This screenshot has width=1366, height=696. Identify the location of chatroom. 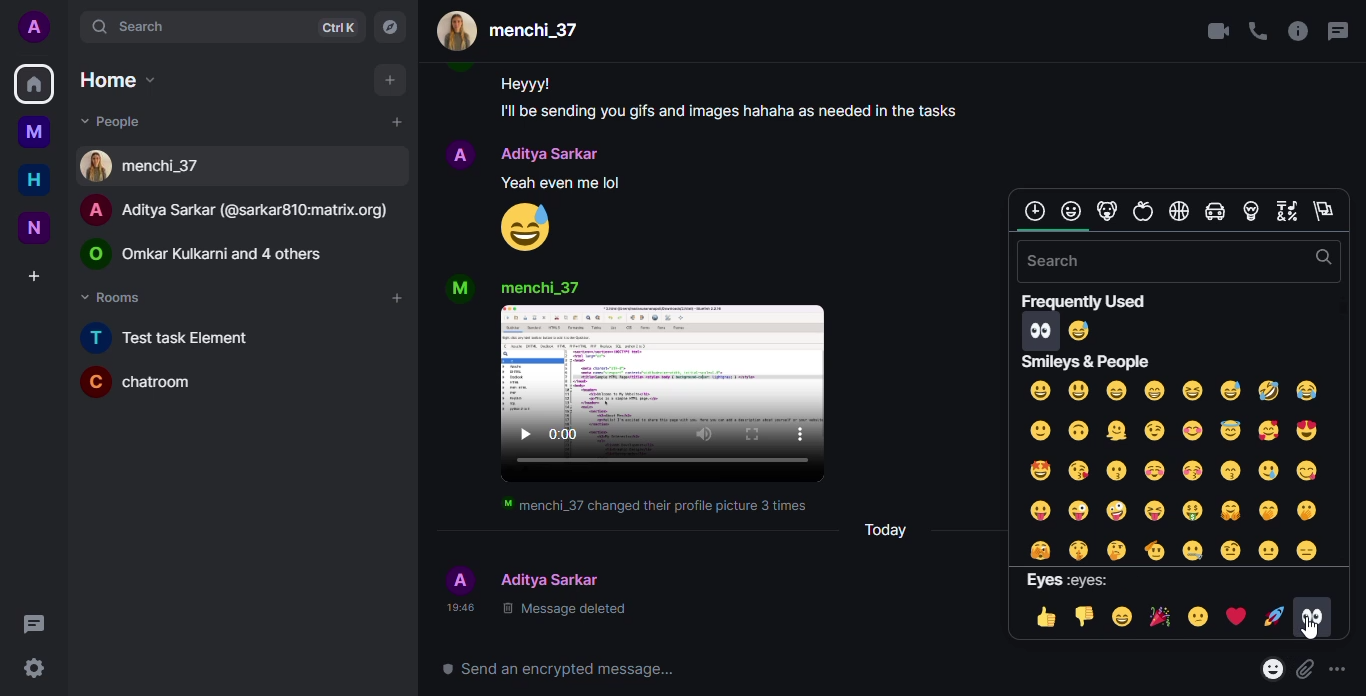
(142, 382).